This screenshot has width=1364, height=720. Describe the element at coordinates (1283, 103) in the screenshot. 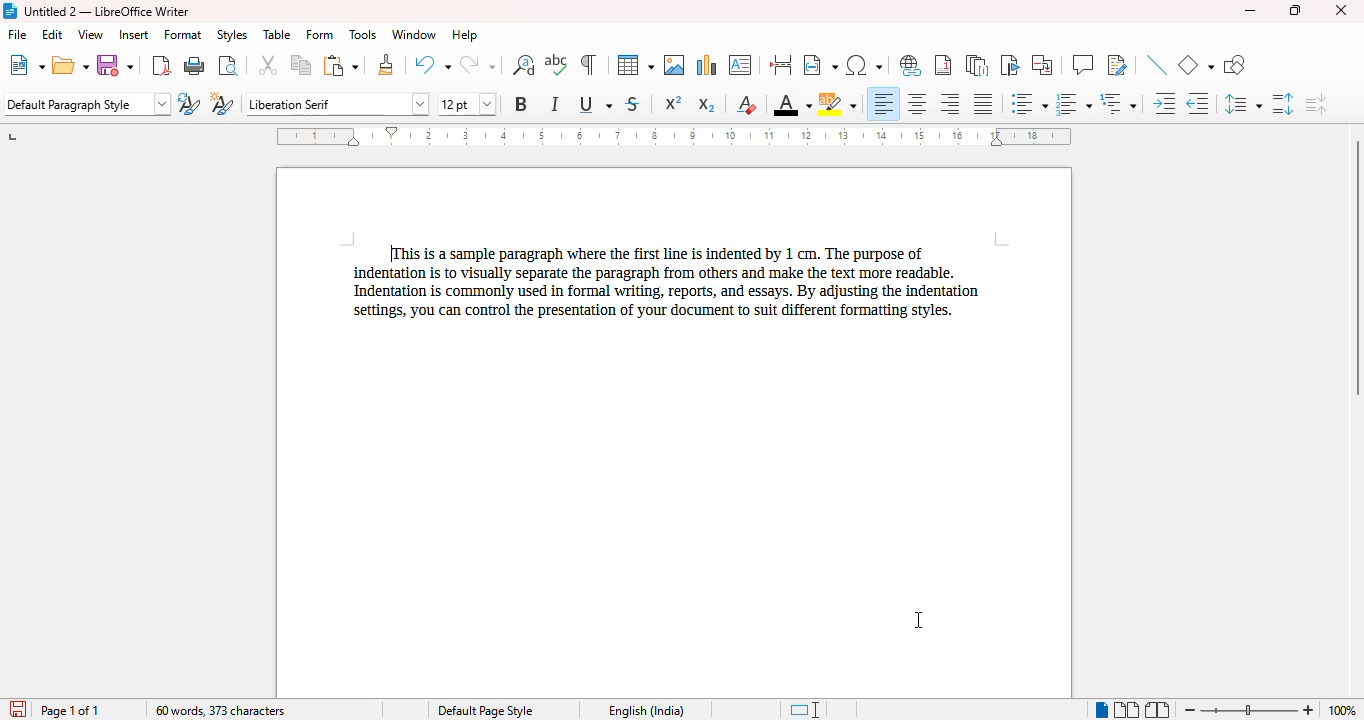

I see `increase paragraph spacing` at that location.